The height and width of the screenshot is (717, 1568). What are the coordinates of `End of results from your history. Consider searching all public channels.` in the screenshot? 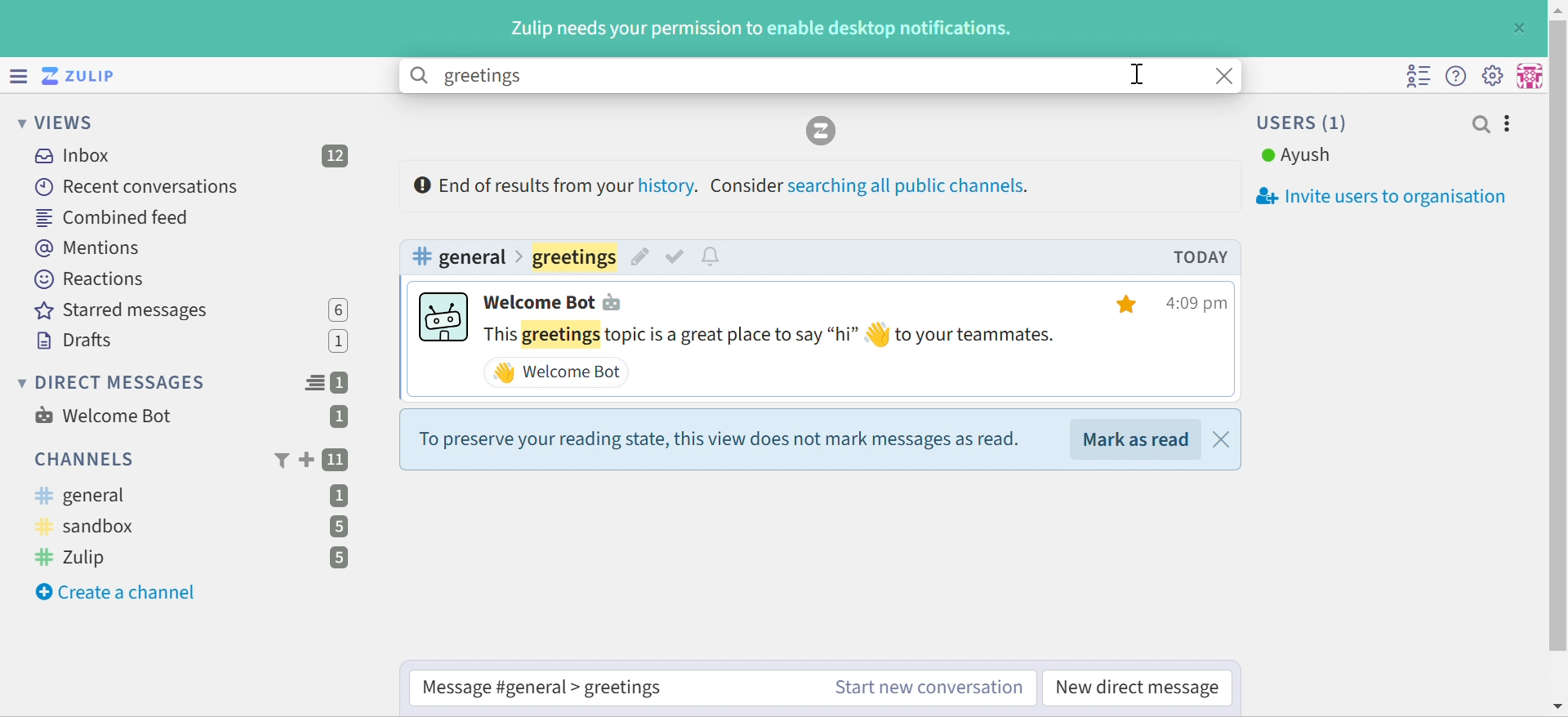 It's located at (723, 185).